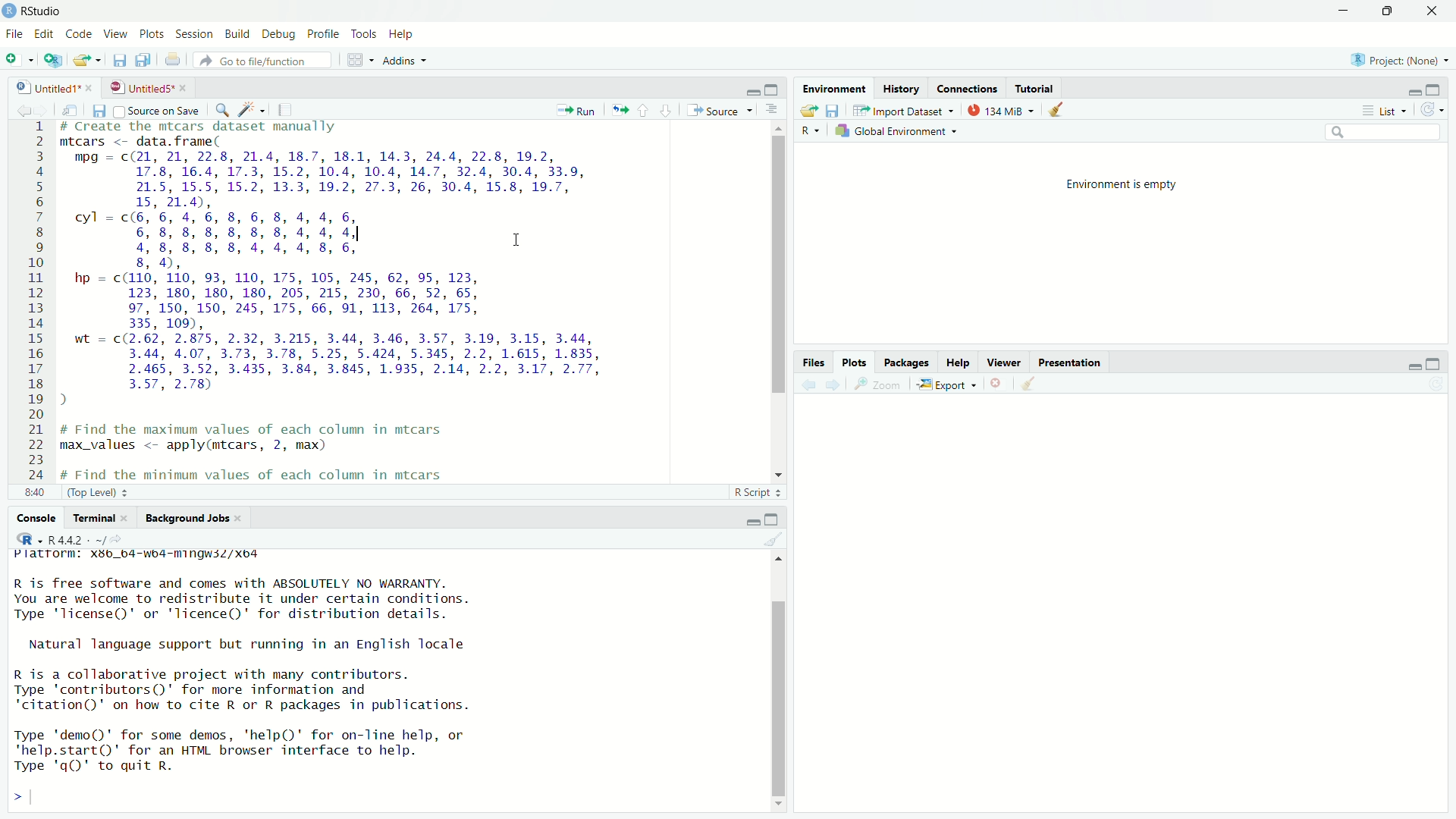  Describe the element at coordinates (67, 538) in the screenshot. I see `«R442 - ~/` at that location.